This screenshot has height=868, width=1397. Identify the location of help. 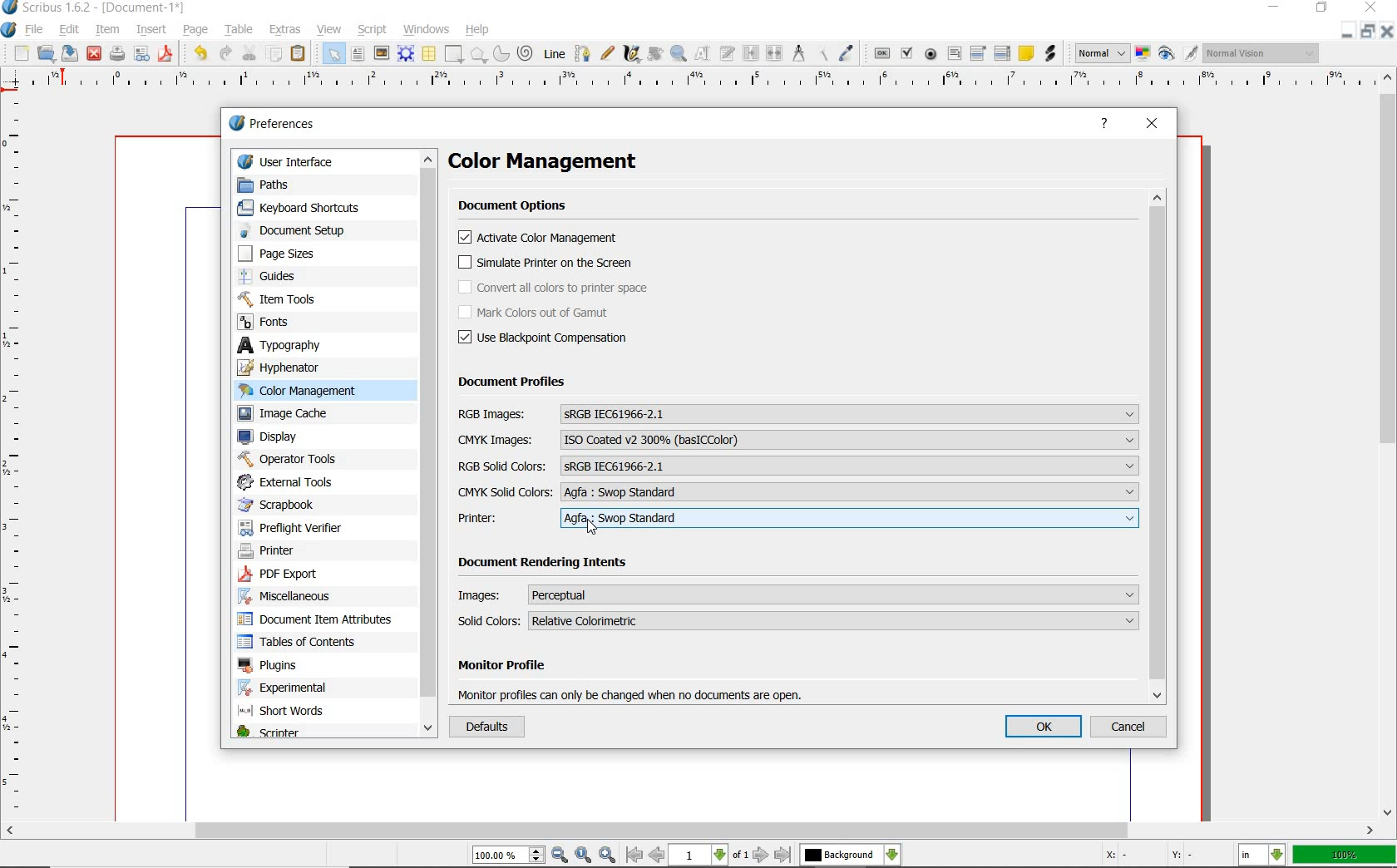
(479, 29).